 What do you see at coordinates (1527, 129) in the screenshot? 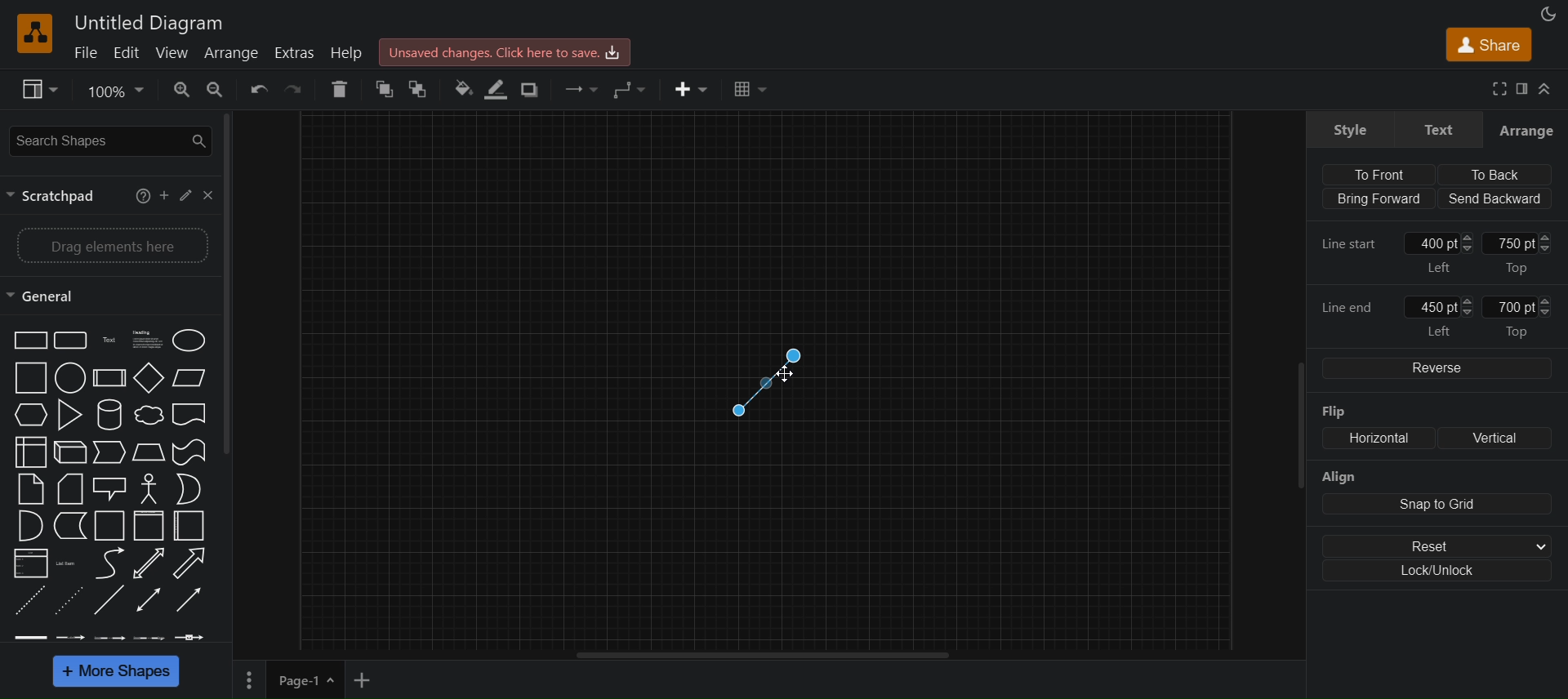
I see `arrange` at bounding box center [1527, 129].